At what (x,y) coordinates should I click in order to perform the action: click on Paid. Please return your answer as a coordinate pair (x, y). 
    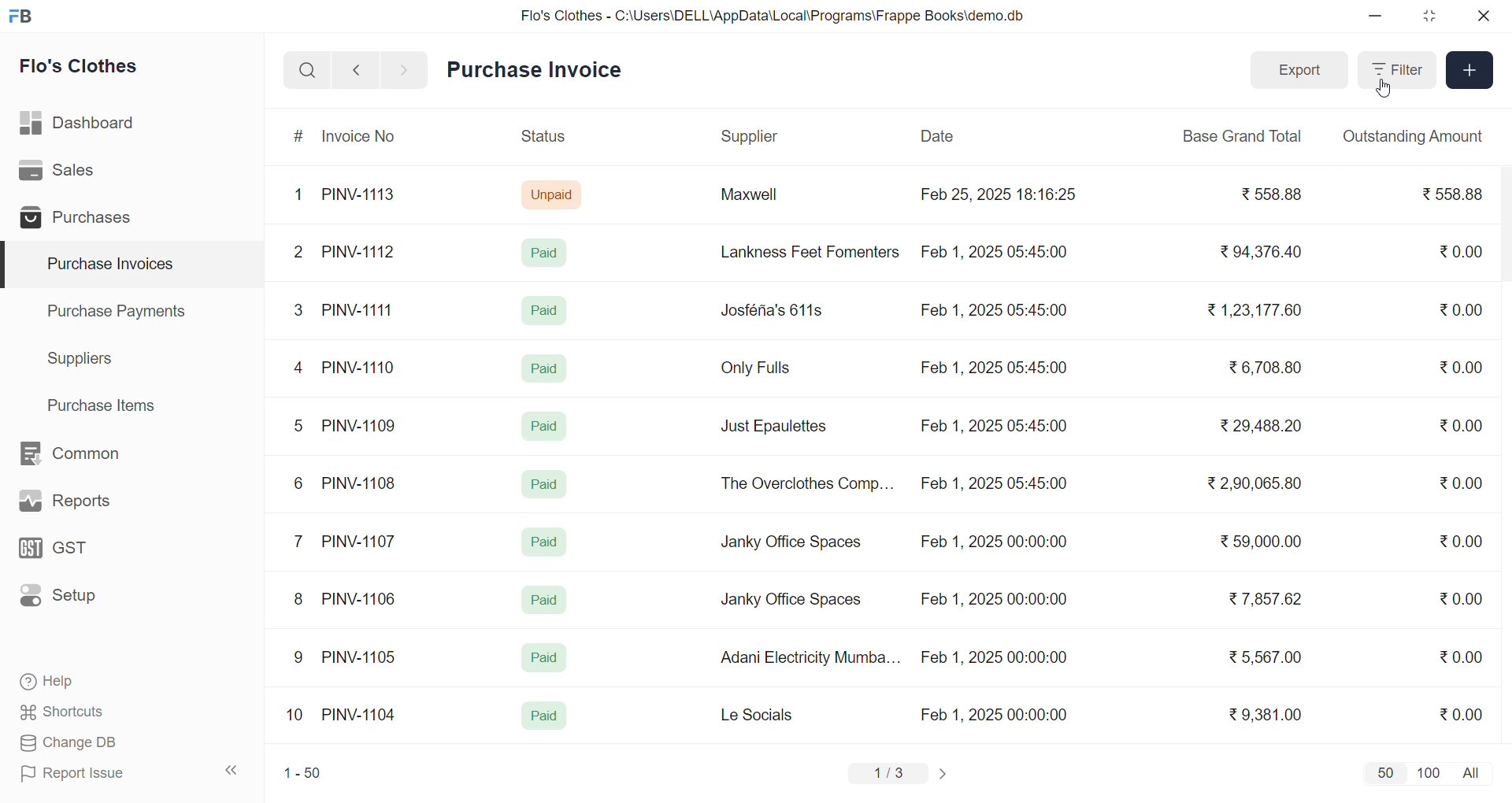
    Looking at the image, I should click on (547, 424).